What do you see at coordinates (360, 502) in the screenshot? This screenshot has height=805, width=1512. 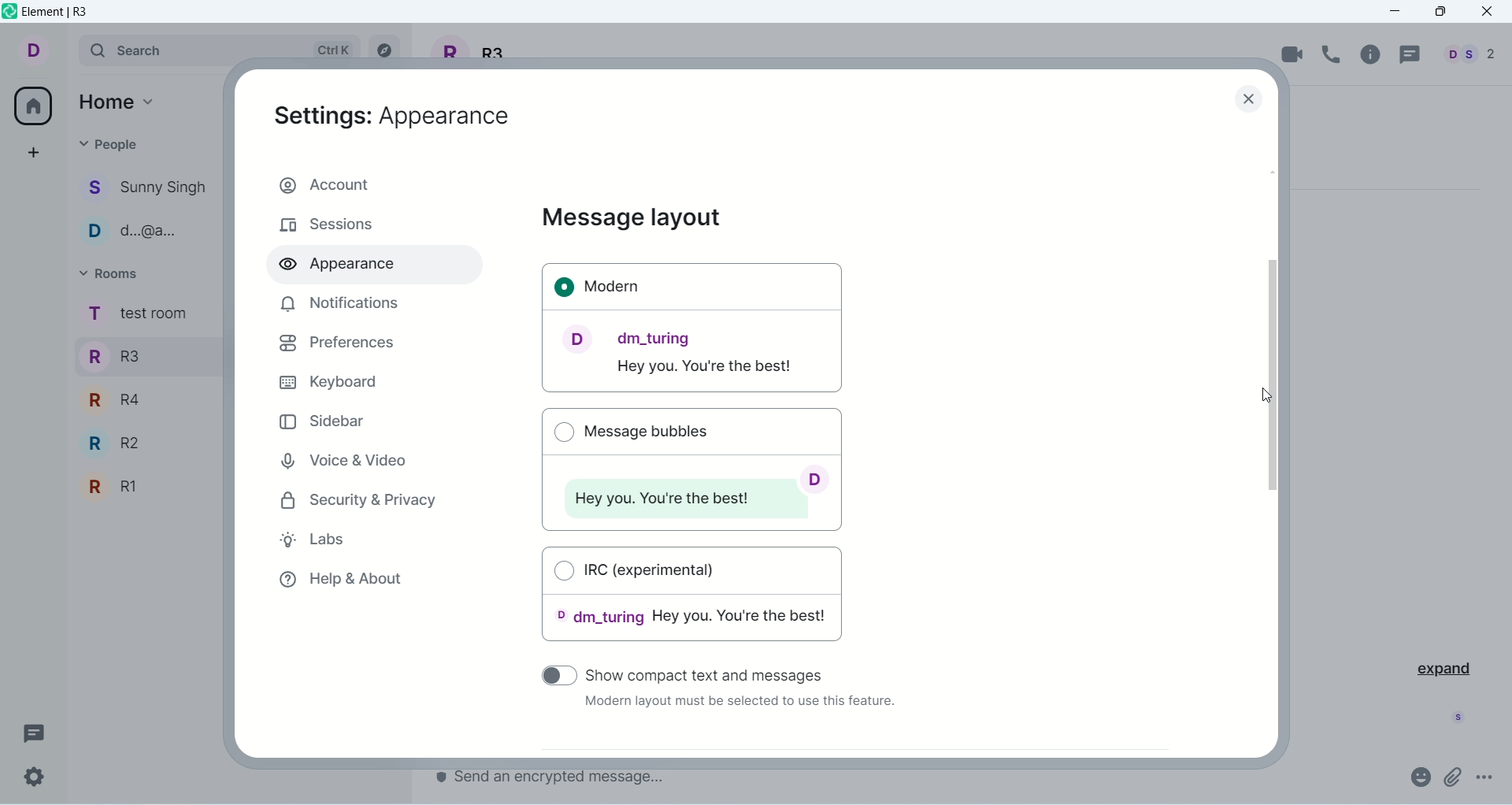 I see `security and privacy` at bounding box center [360, 502].